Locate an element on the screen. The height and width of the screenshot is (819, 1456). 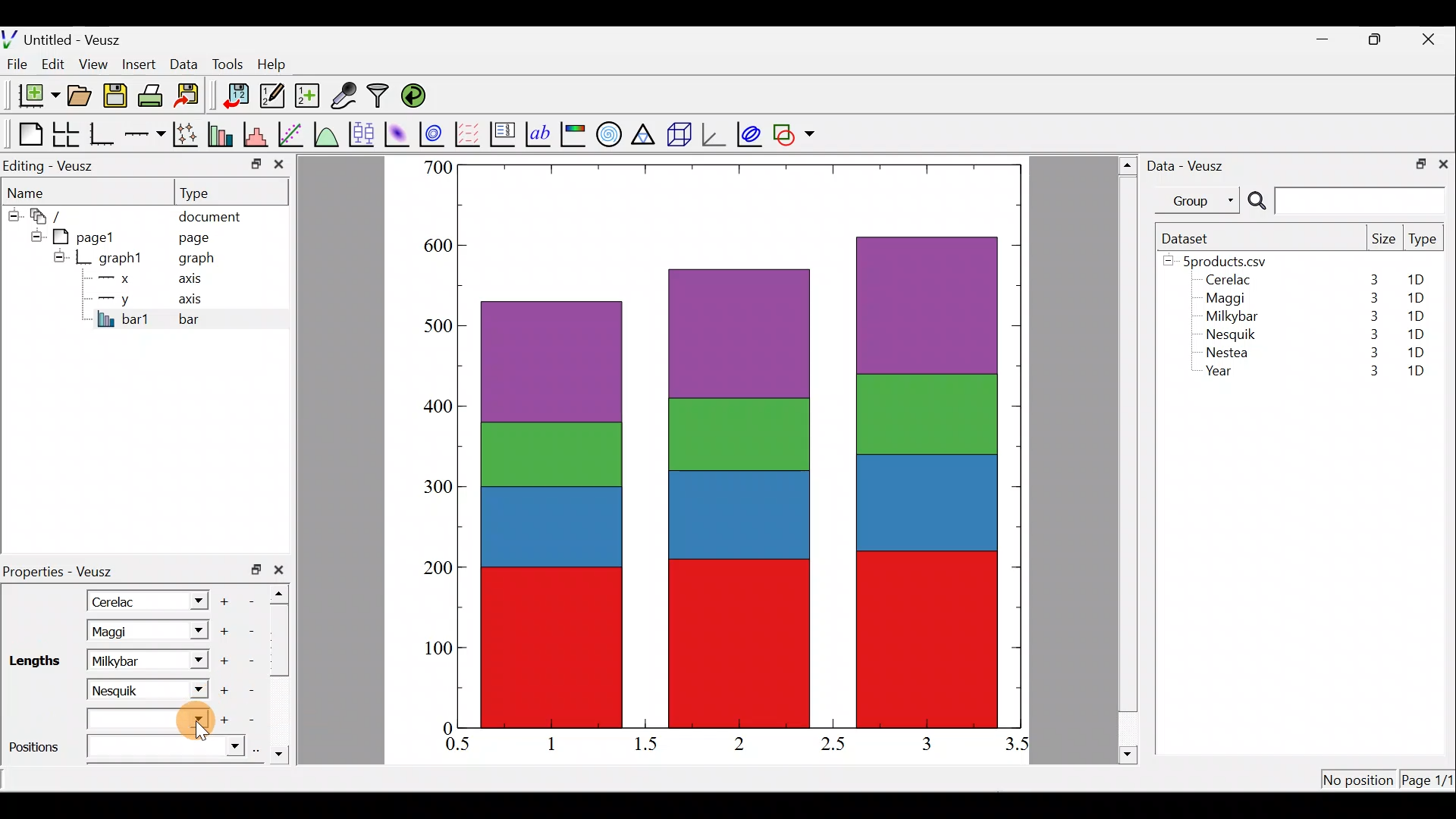
2.5 is located at coordinates (833, 744).